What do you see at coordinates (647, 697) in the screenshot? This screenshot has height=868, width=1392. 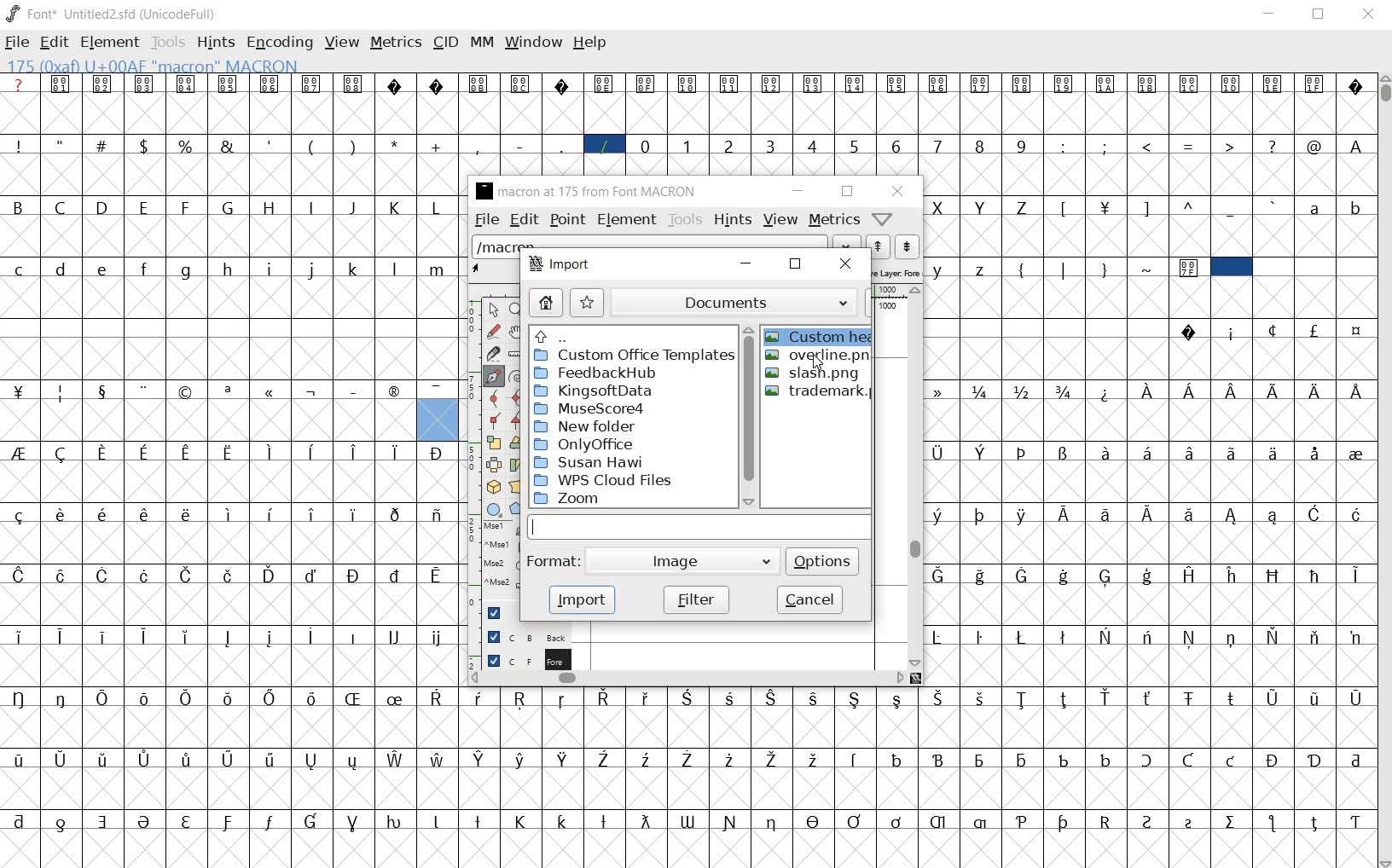 I see `Symbol` at bounding box center [647, 697].